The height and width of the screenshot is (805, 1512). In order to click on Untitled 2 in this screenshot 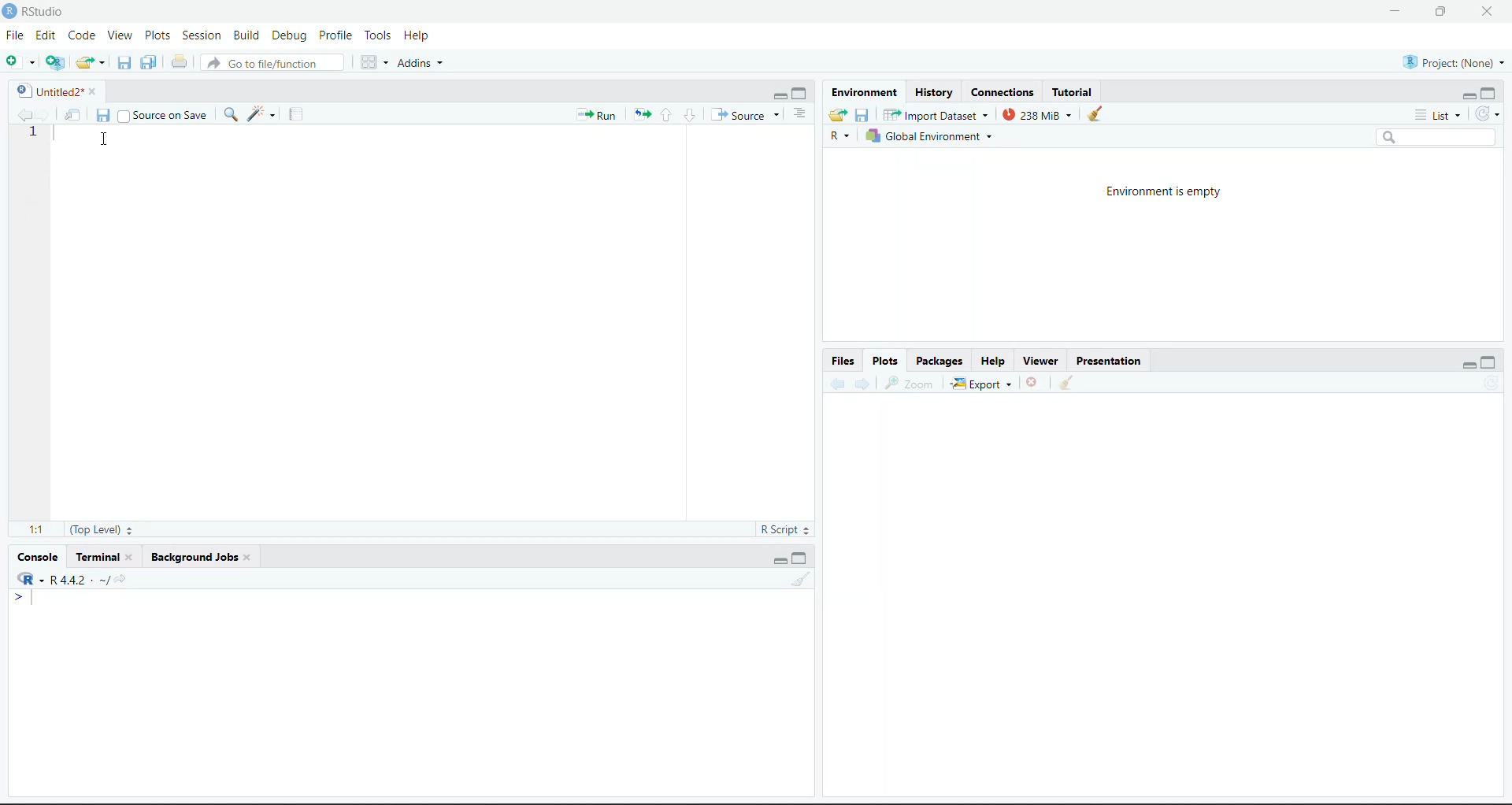, I will do `click(47, 91)`.